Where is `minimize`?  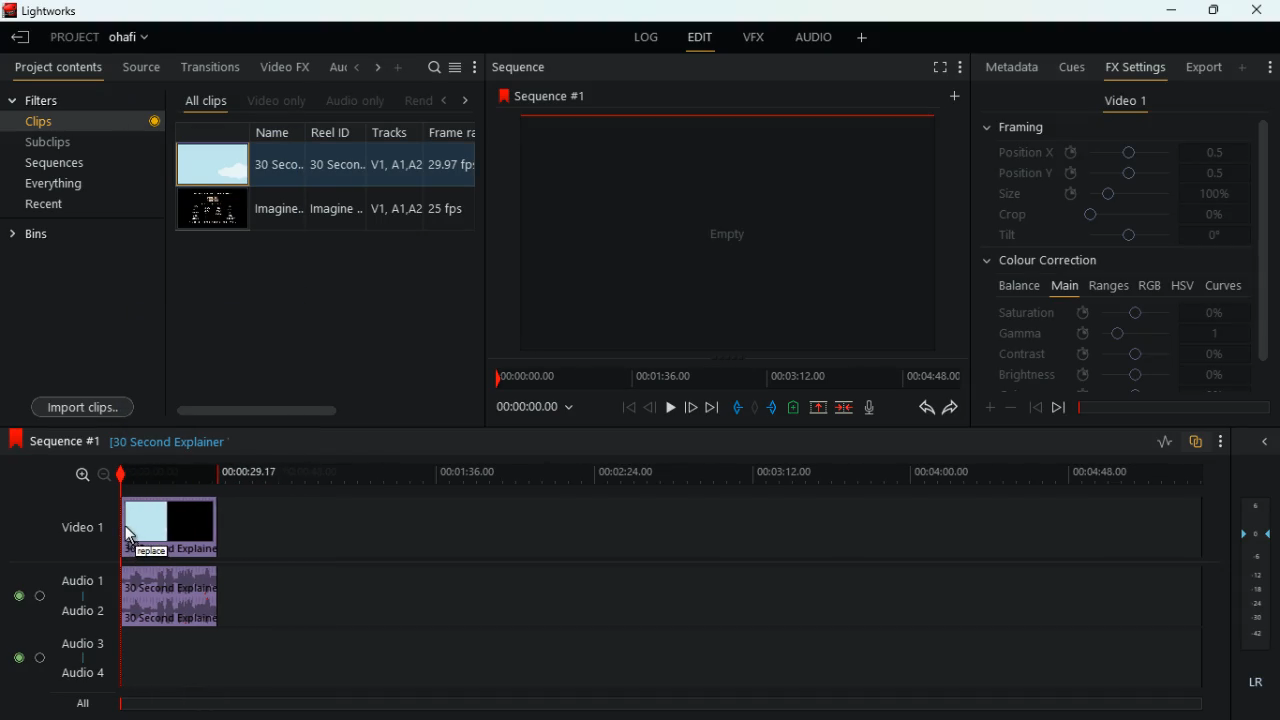
minimize is located at coordinates (1170, 10).